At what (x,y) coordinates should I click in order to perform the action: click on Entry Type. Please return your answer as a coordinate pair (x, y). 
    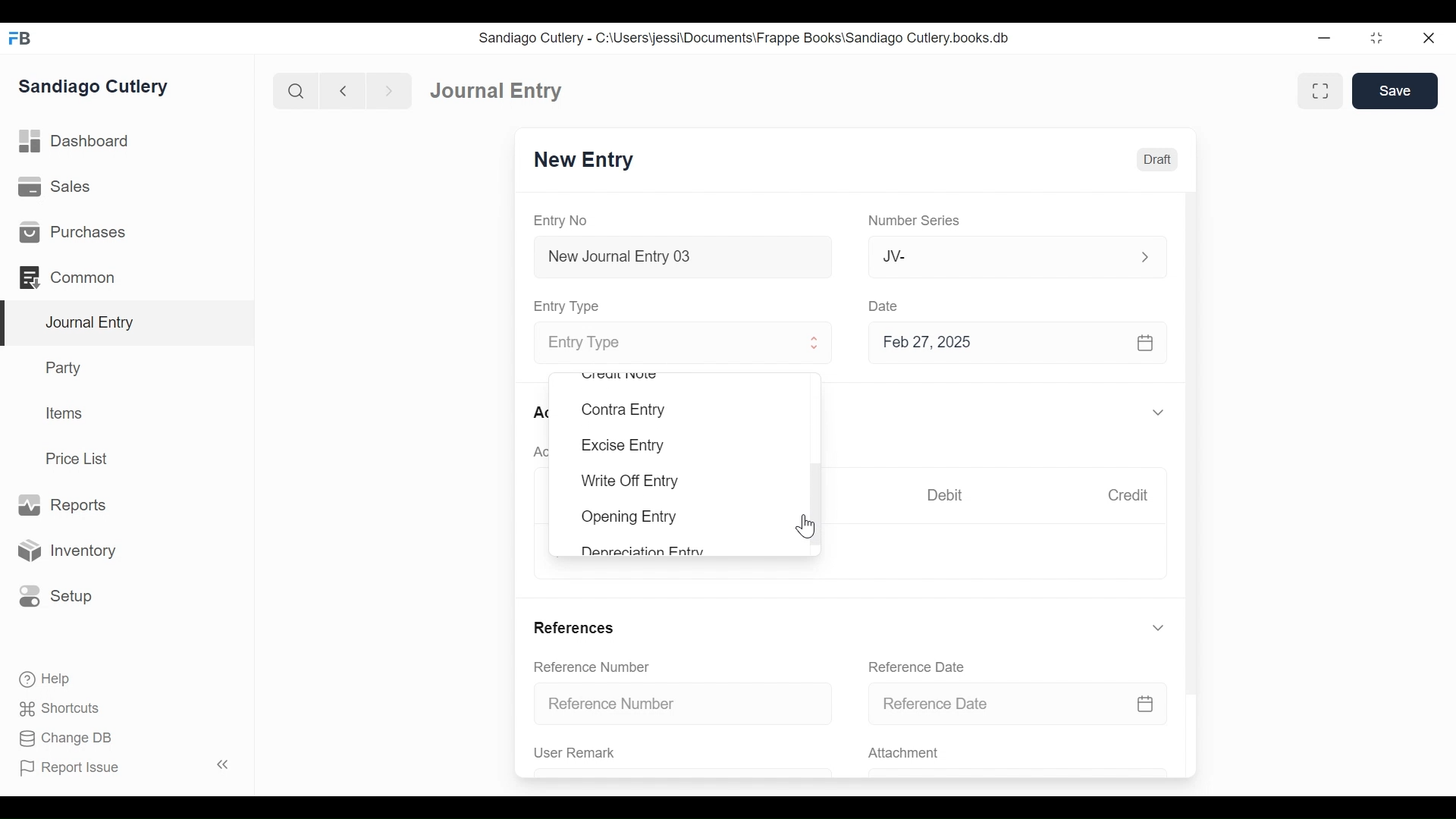
    Looking at the image, I should click on (570, 307).